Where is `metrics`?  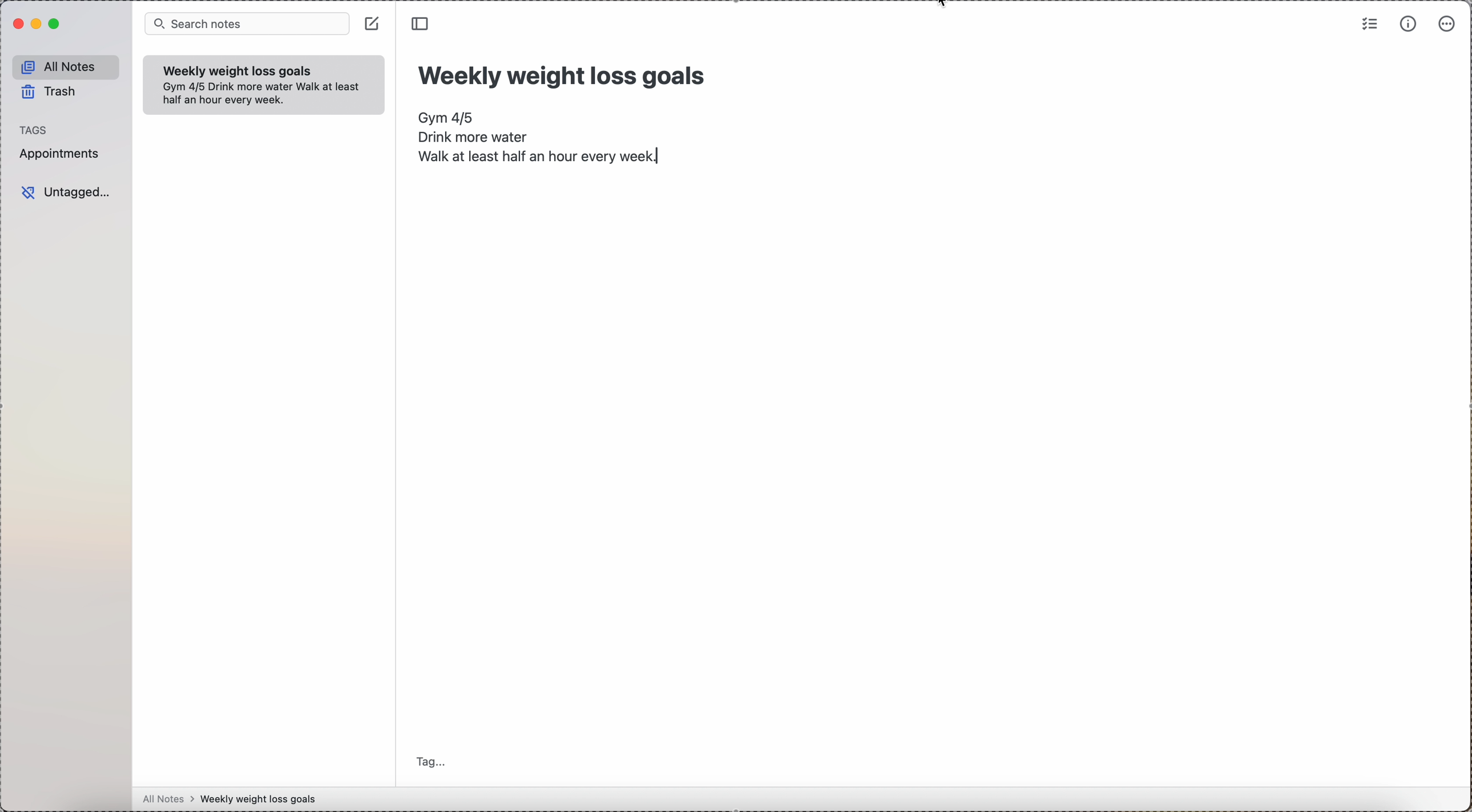 metrics is located at coordinates (1407, 25).